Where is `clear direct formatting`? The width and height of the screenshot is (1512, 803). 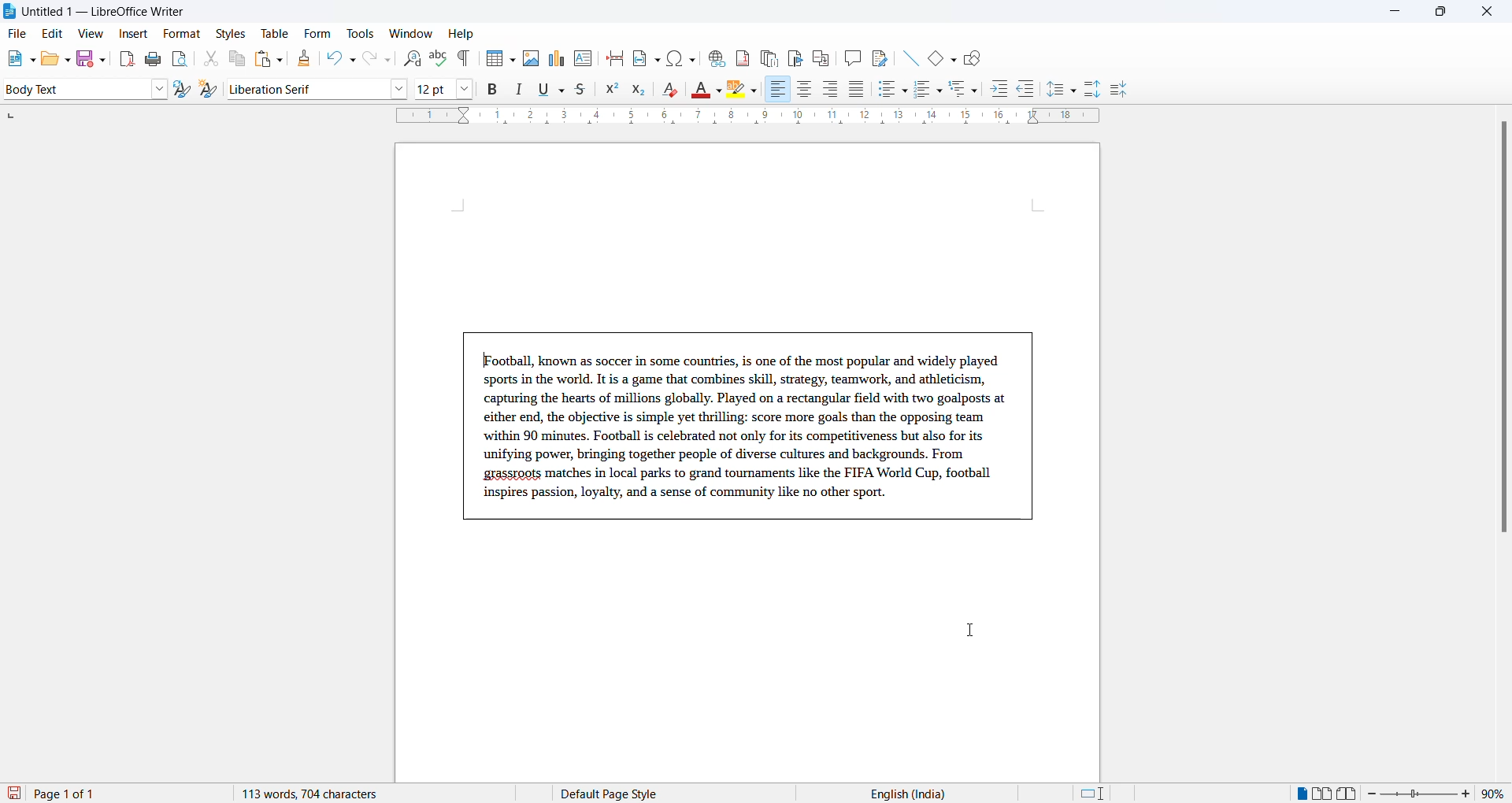 clear direct formatting is located at coordinates (674, 91).